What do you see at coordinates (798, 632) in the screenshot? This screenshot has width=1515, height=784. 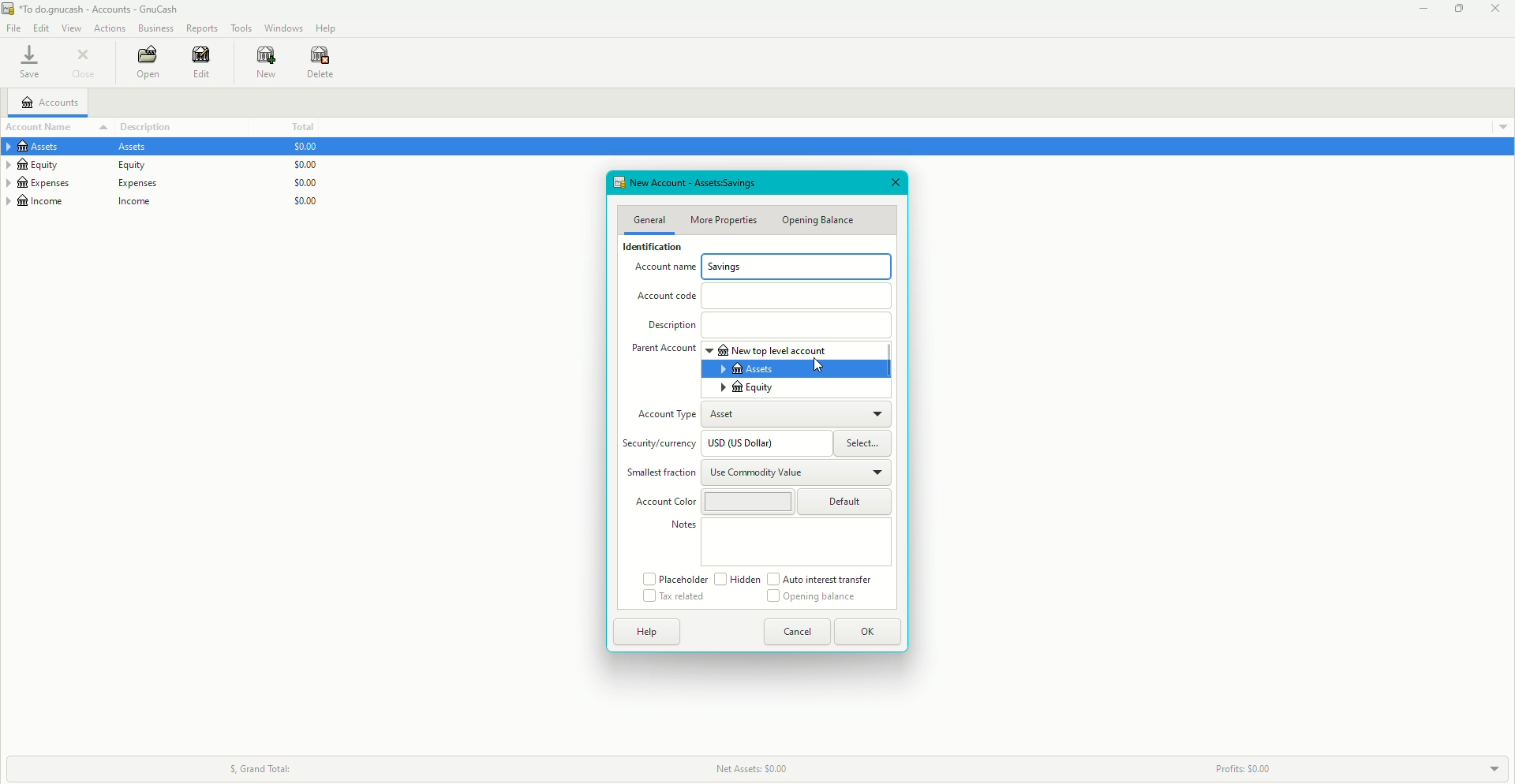 I see `Cancel` at bounding box center [798, 632].